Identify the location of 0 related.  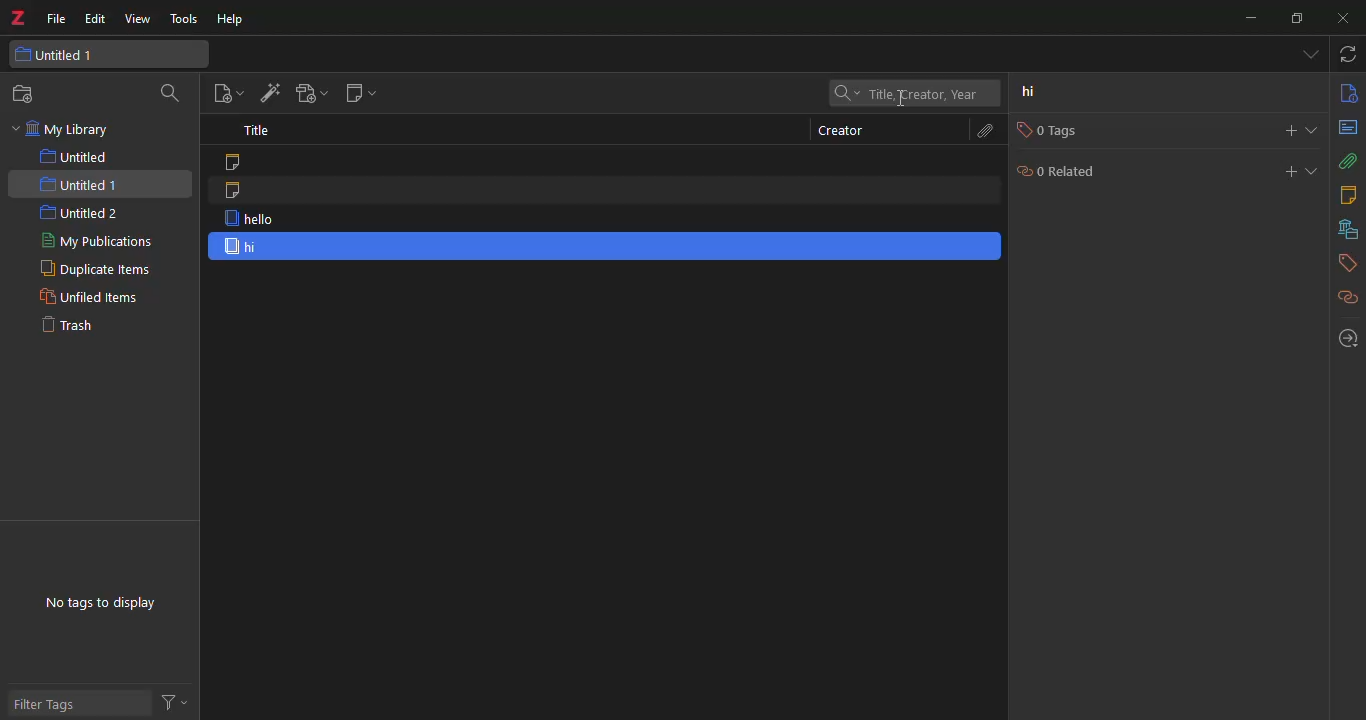
(1063, 172).